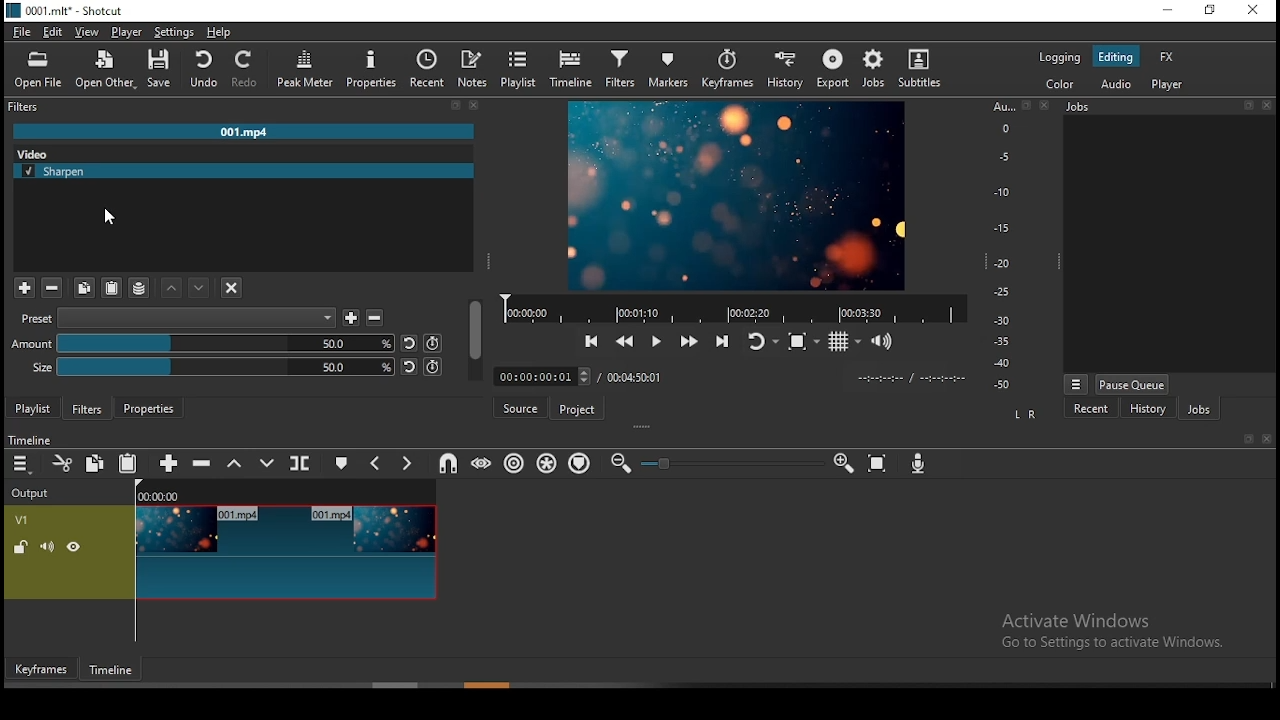 This screenshot has width=1280, height=720. I want to click on copy, so click(94, 463).